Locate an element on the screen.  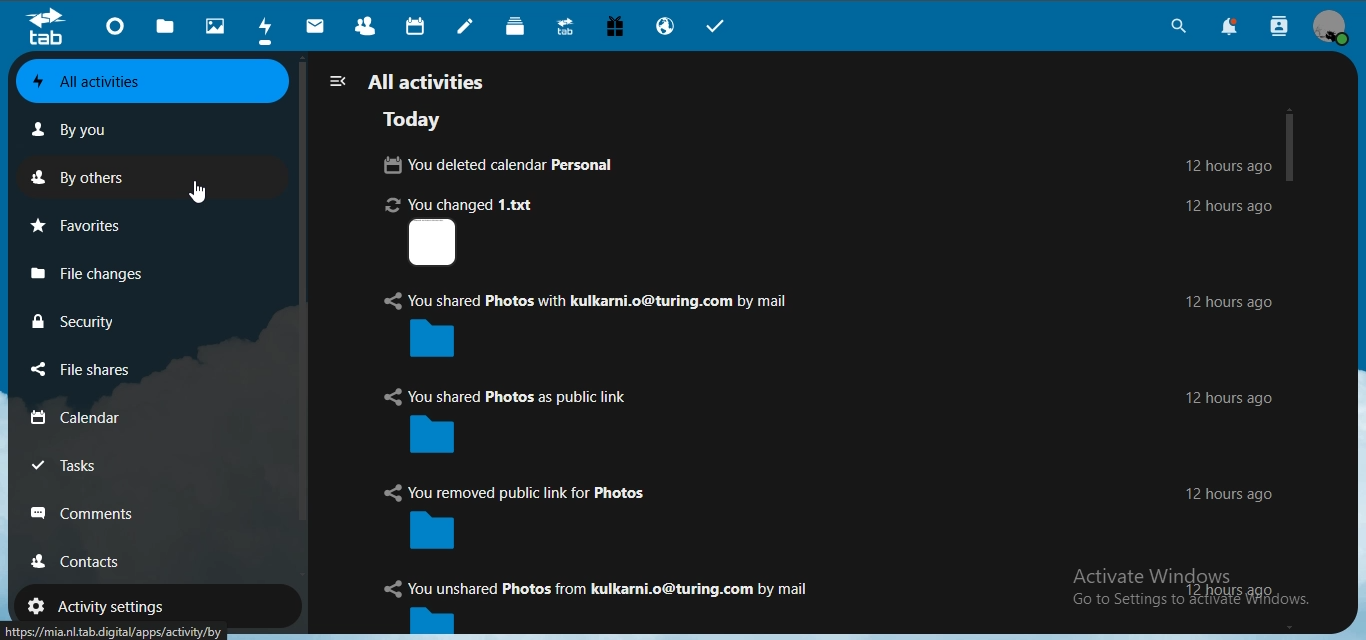
deck is located at coordinates (515, 24).